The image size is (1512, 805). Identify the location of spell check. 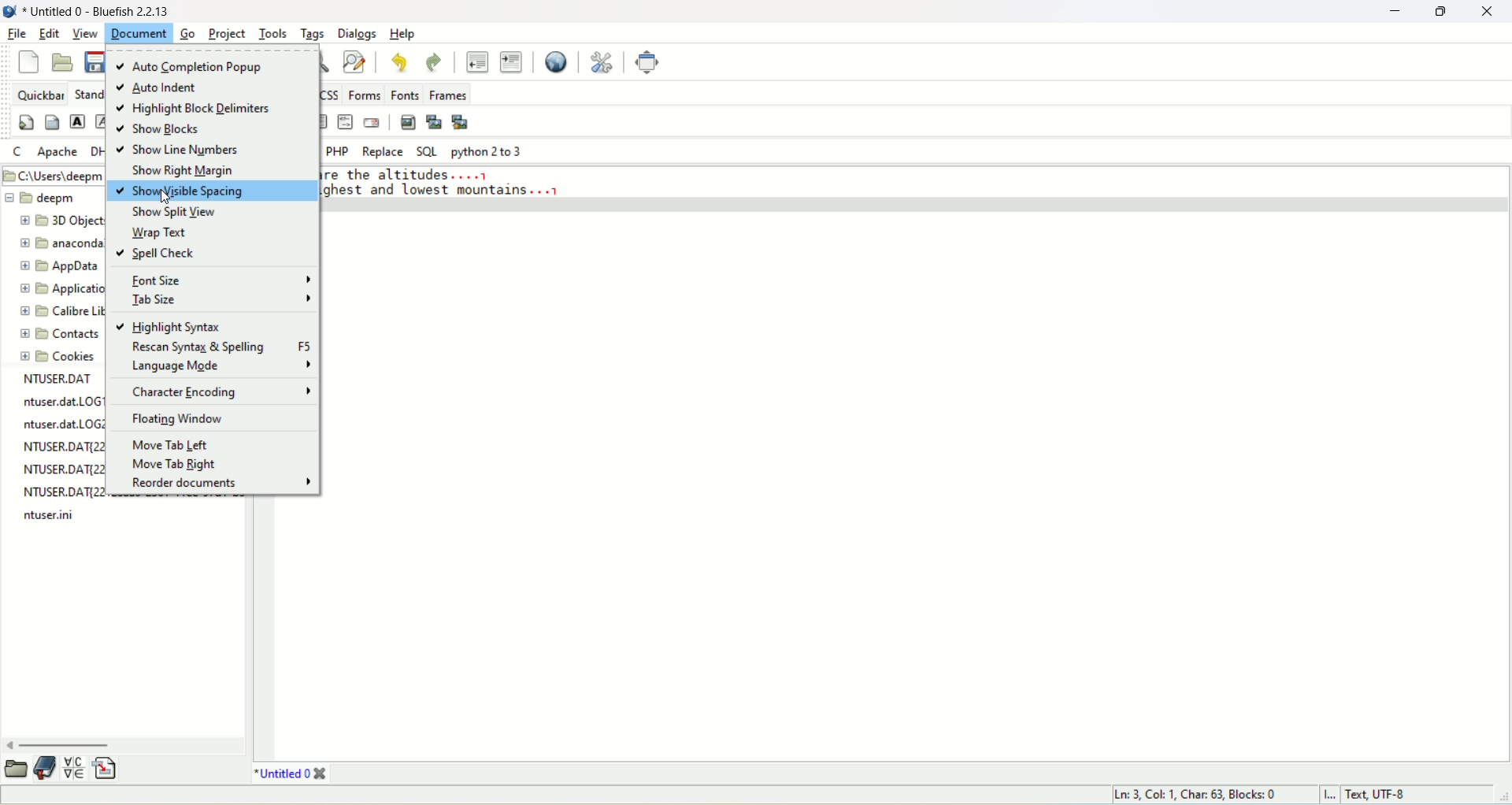
(157, 252).